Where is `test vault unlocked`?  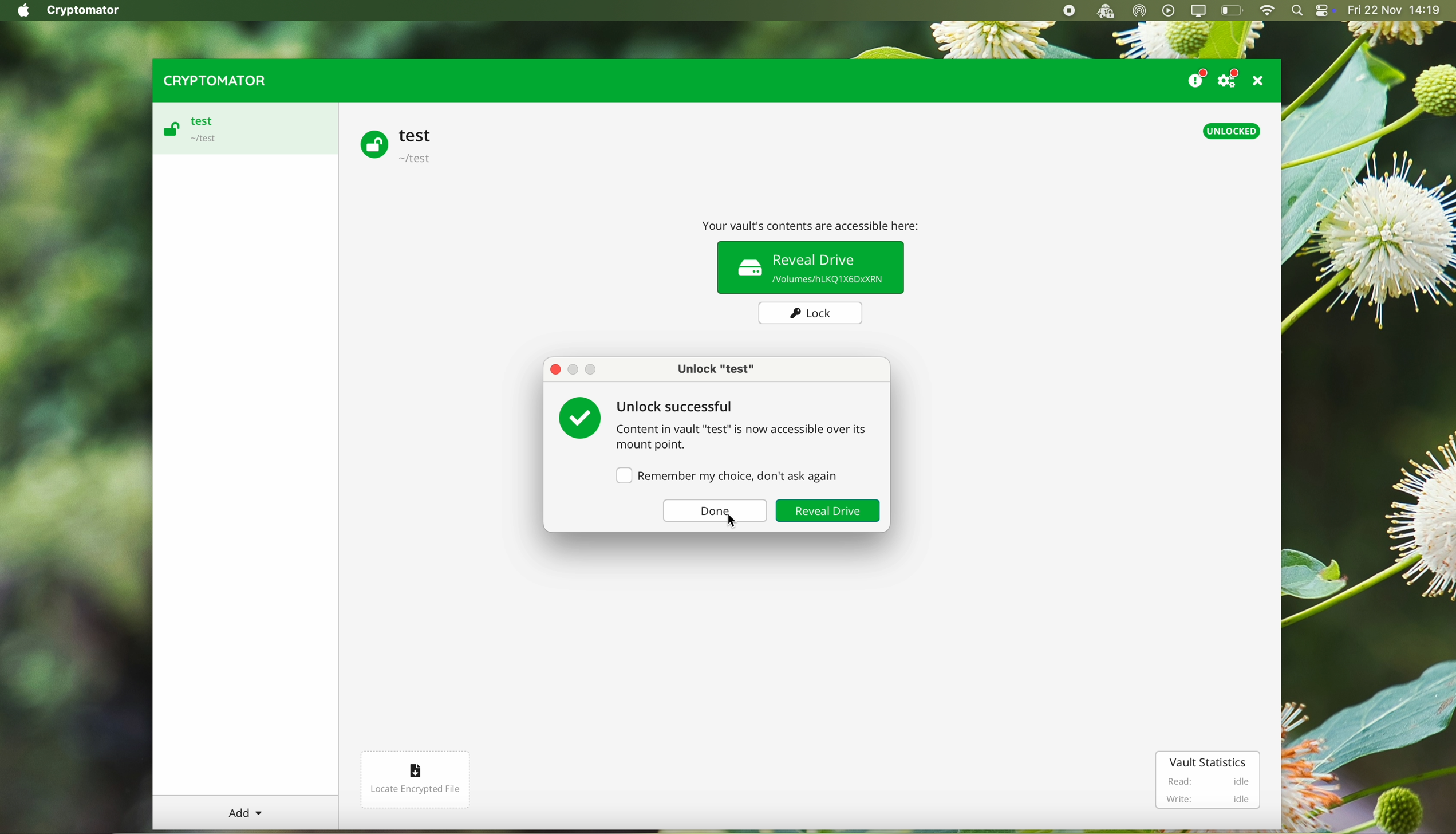 test vault unlocked is located at coordinates (397, 145).